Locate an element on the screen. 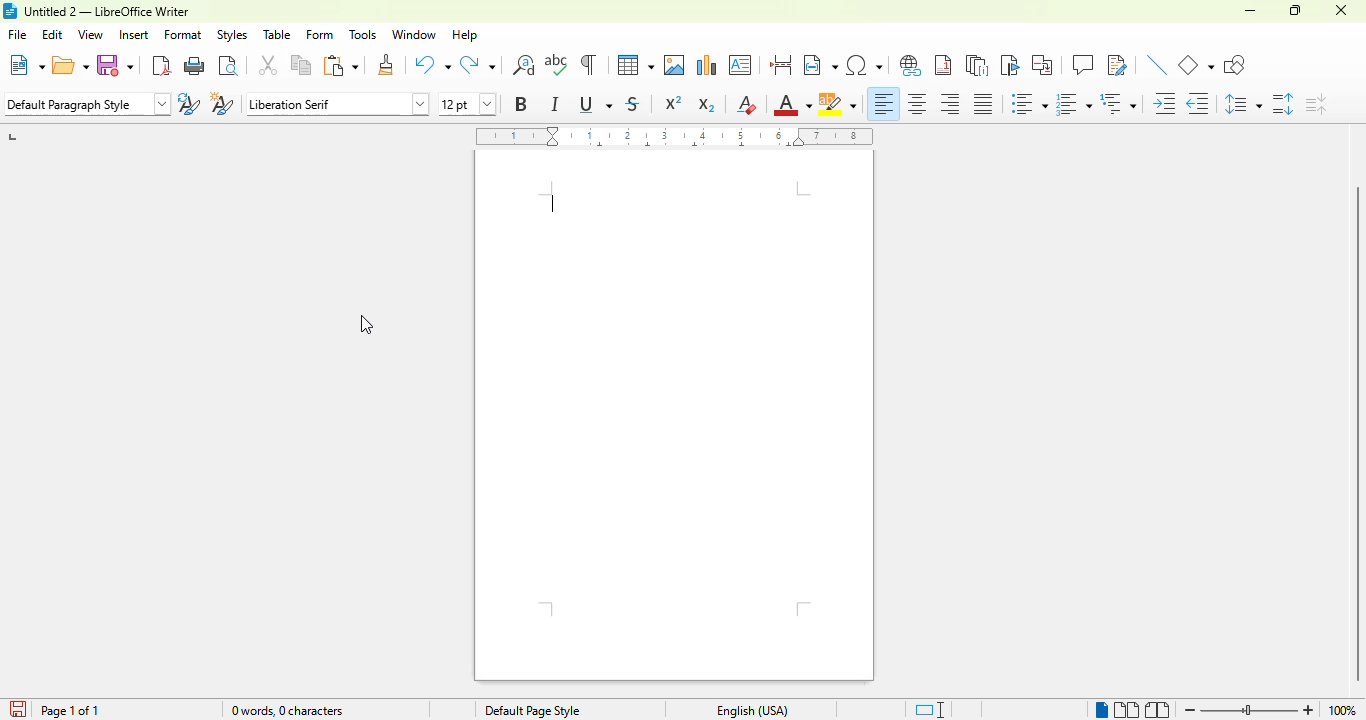 The width and height of the screenshot is (1366, 720). increase indent is located at coordinates (1165, 104).